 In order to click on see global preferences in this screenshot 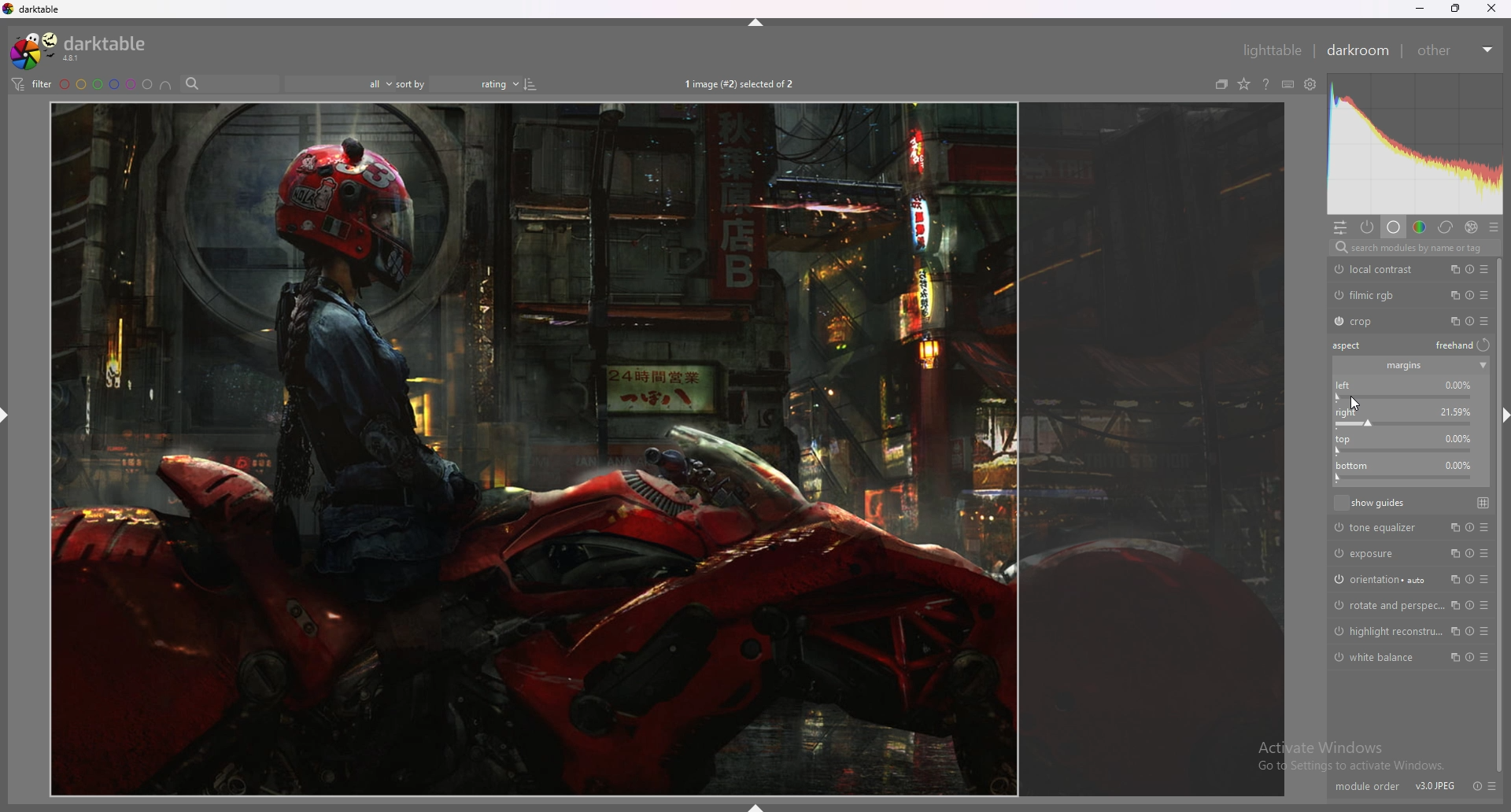, I will do `click(1312, 84)`.